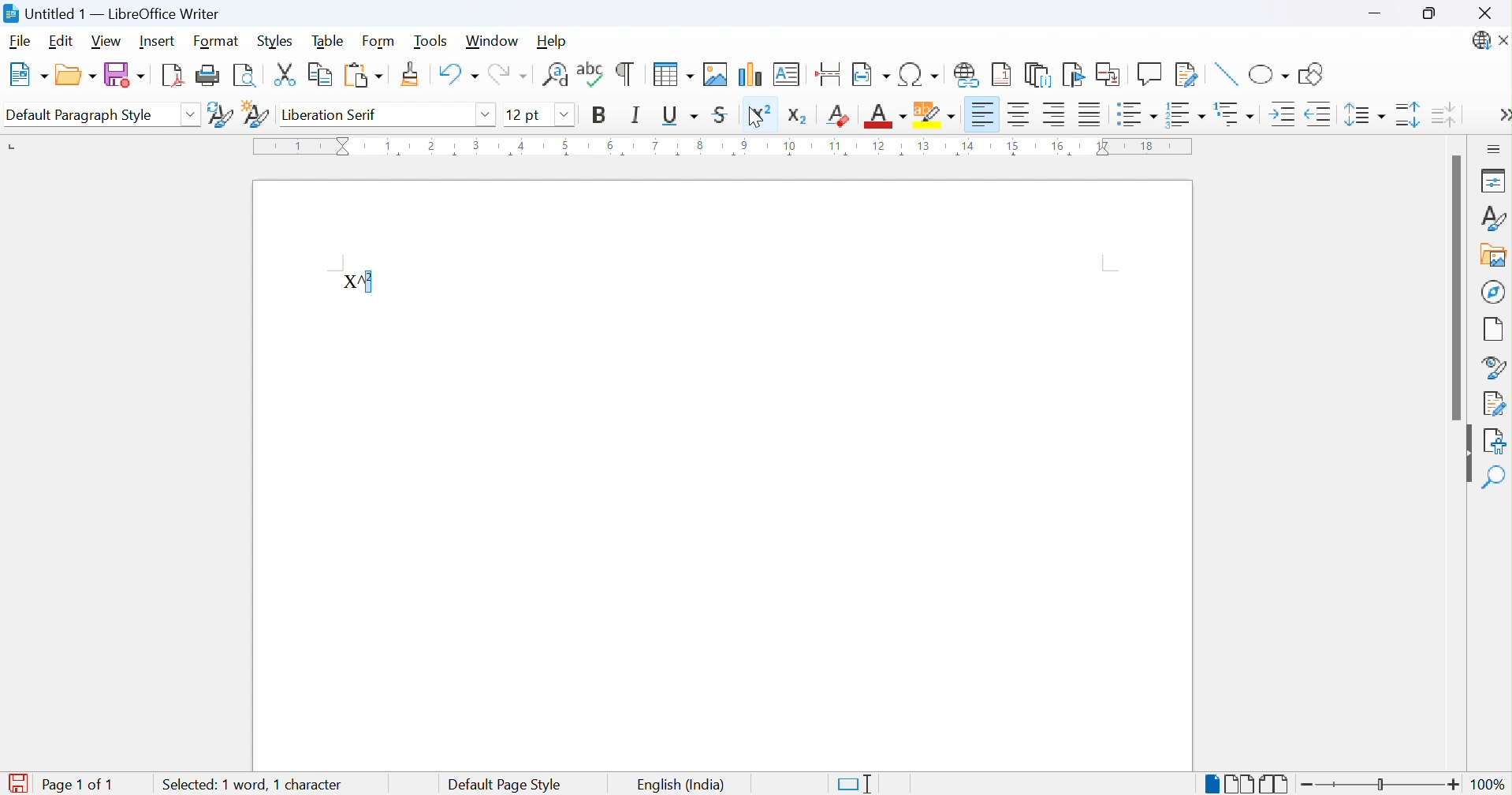 Image resolution: width=1512 pixels, height=795 pixels. What do you see at coordinates (936, 116) in the screenshot?
I see `Character highlighting color` at bounding box center [936, 116].